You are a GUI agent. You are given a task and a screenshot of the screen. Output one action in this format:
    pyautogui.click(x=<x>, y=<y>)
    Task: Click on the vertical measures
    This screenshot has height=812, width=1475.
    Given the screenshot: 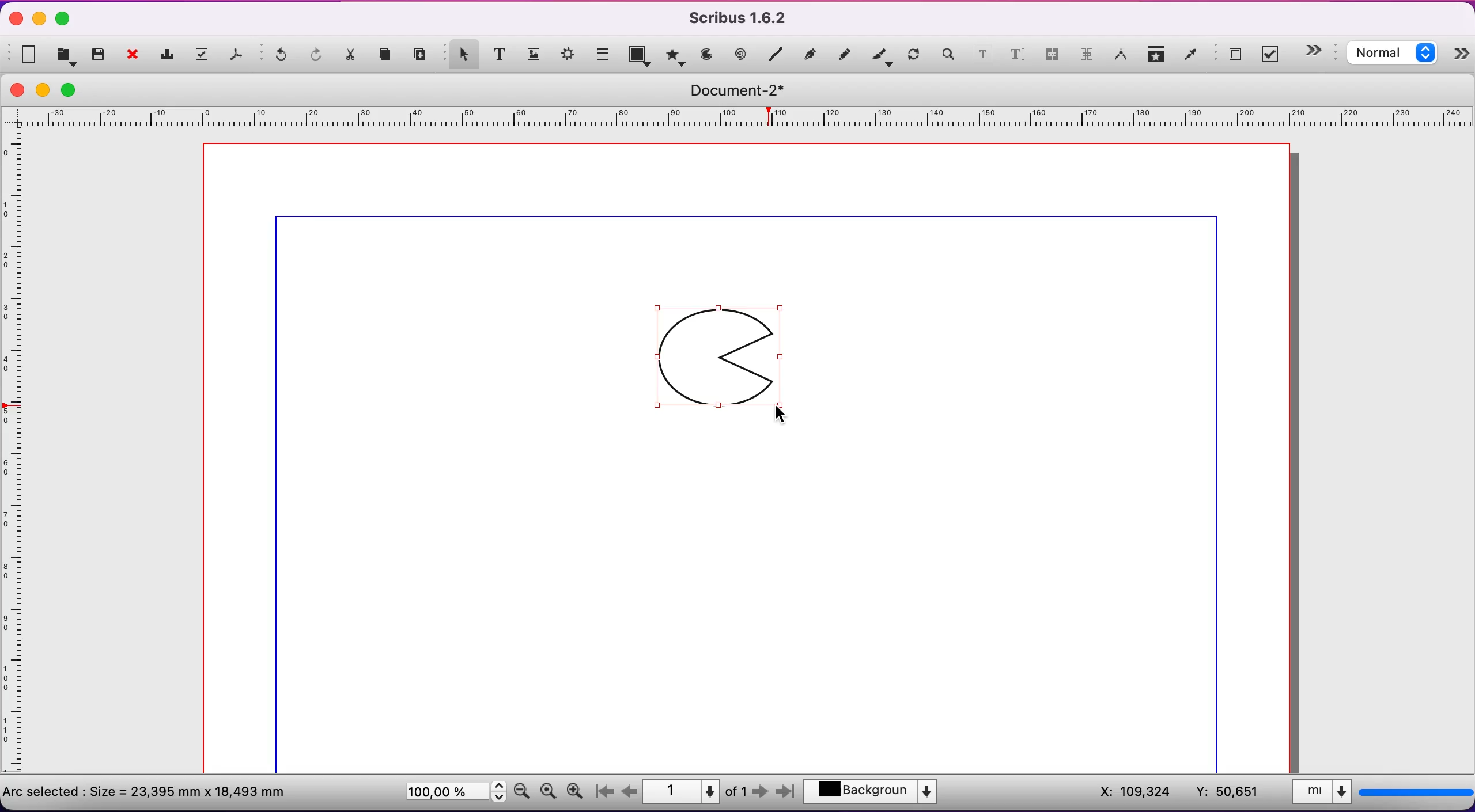 What is the action you would take?
    pyautogui.click(x=17, y=457)
    